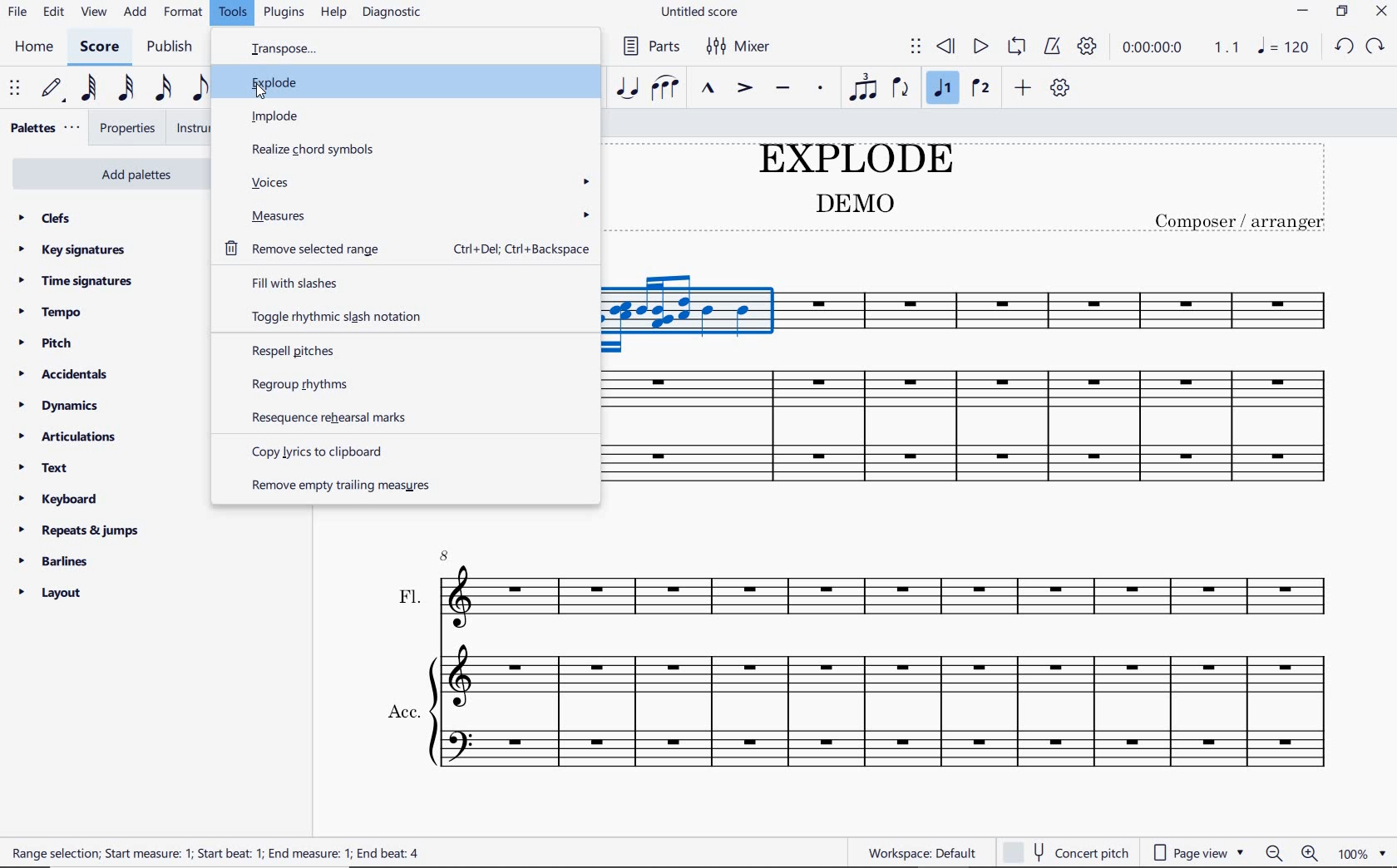 Image resolution: width=1397 pixels, height=868 pixels. I want to click on 32nd note, so click(126, 90).